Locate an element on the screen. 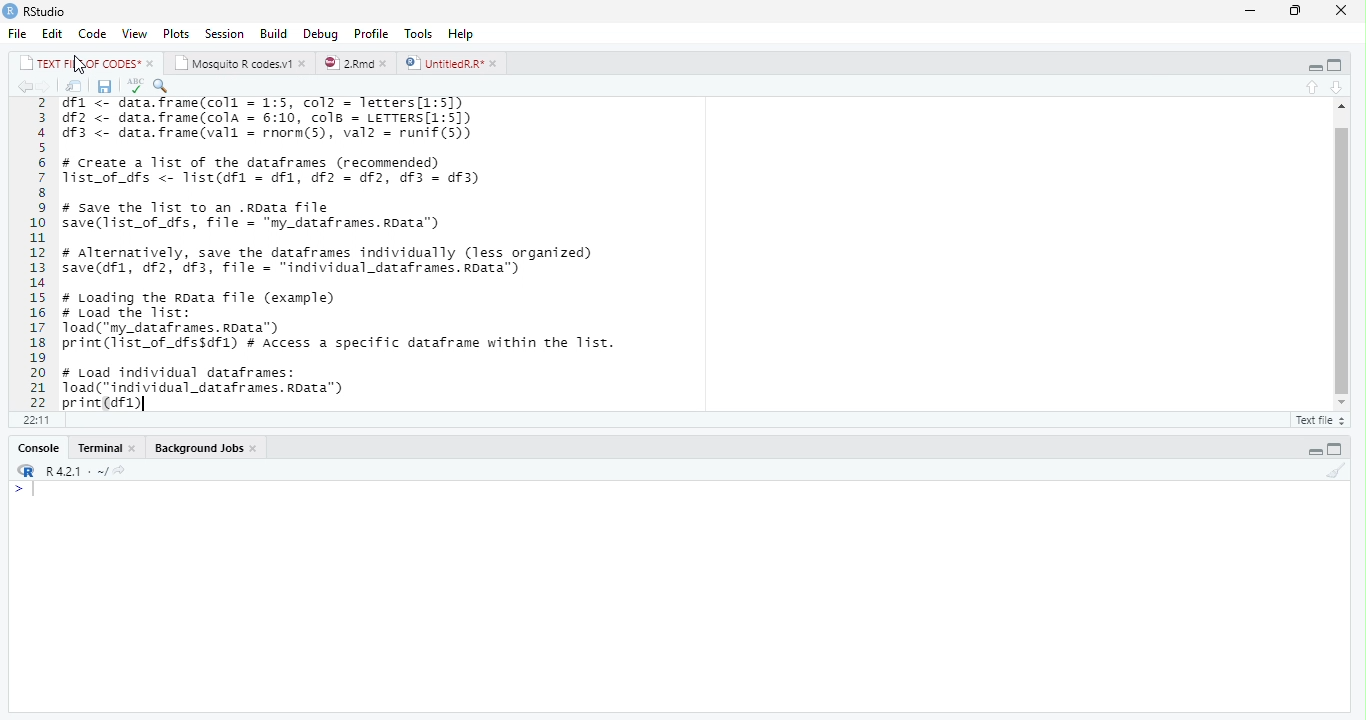 This screenshot has height=720, width=1366. Full Height is located at coordinates (1338, 64).